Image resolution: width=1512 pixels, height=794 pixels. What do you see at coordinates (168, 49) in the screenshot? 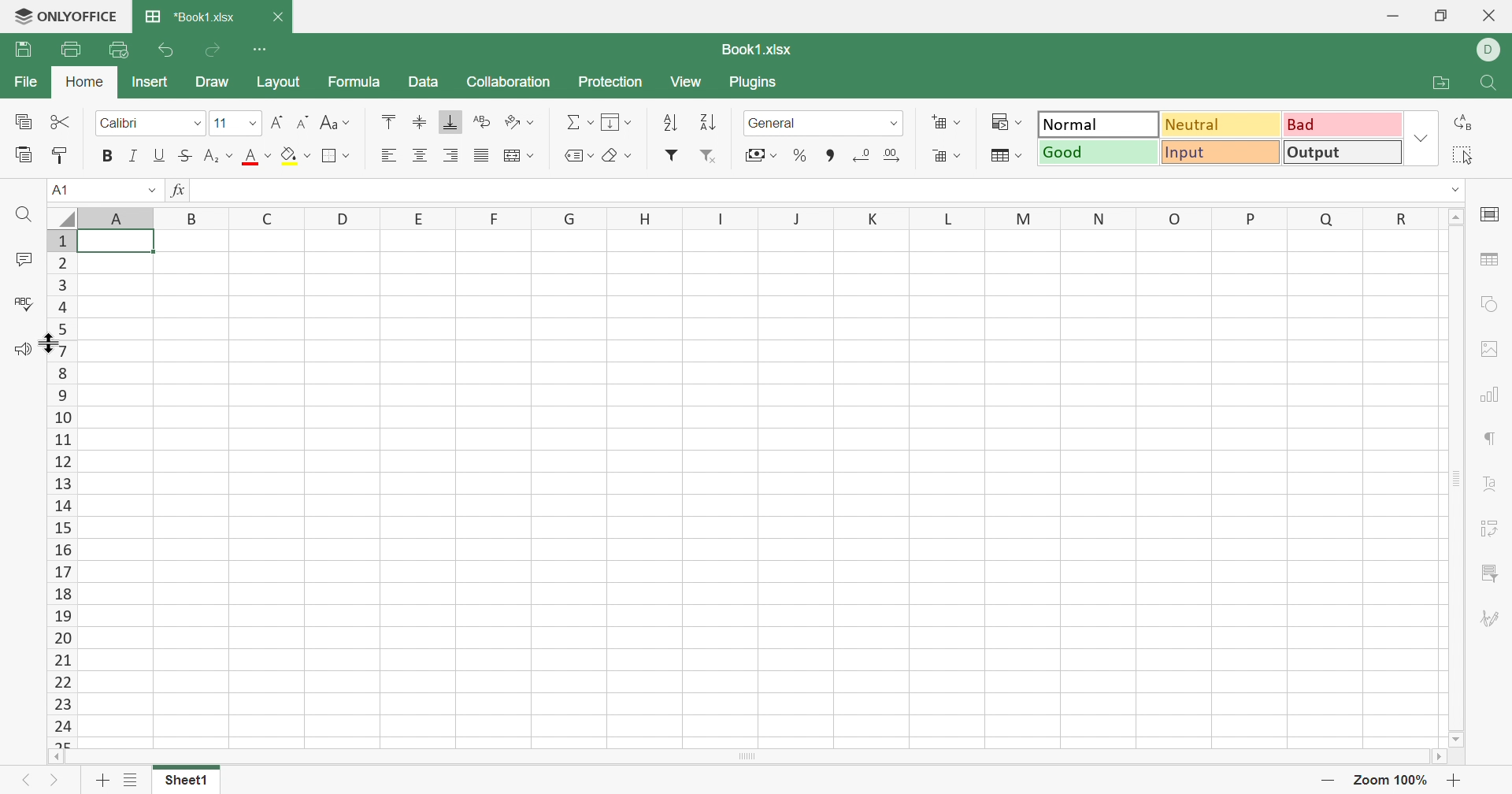
I see `Undo` at bounding box center [168, 49].